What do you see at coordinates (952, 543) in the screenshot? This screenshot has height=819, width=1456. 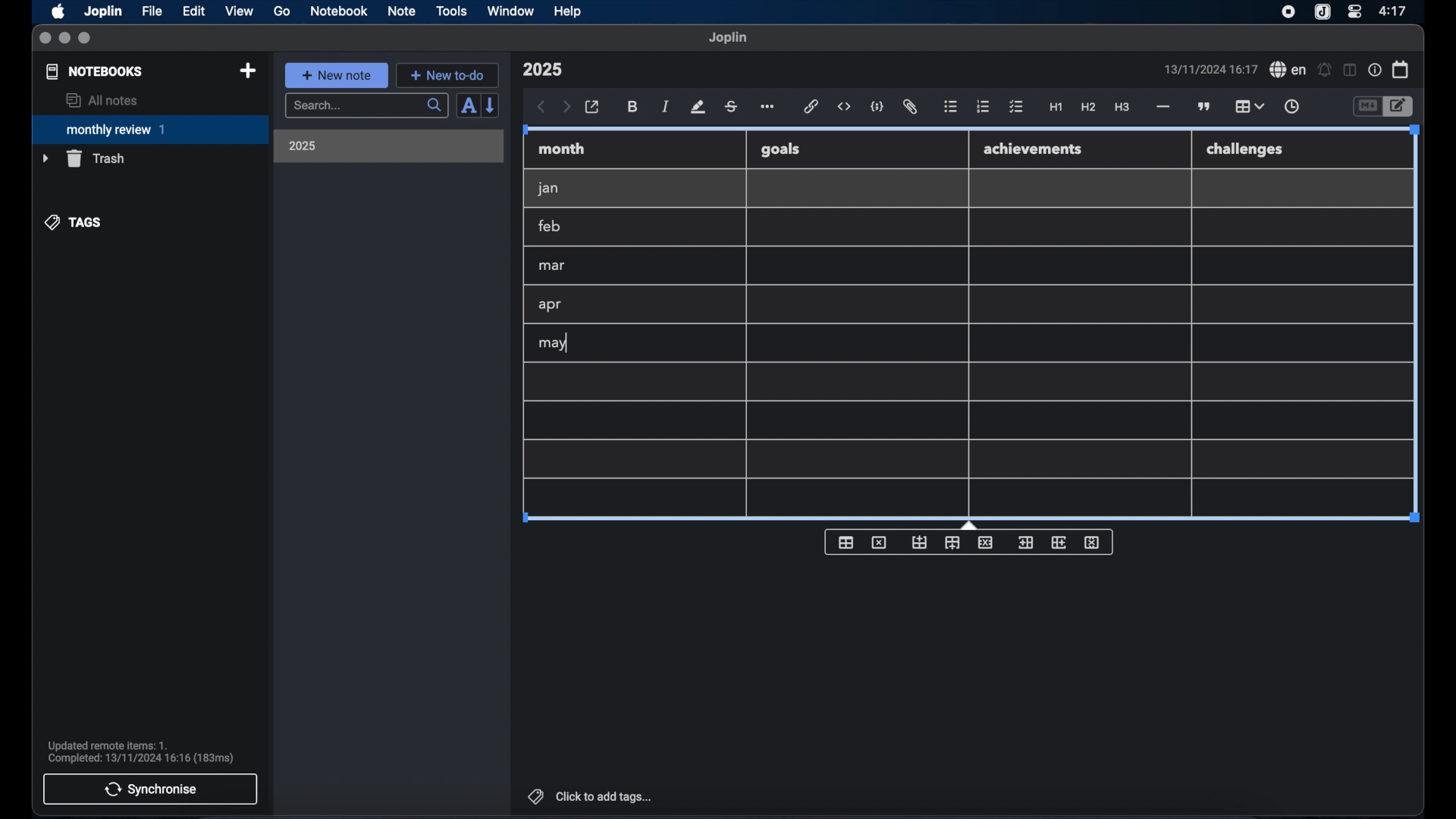 I see `insert row after` at bounding box center [952, 543].